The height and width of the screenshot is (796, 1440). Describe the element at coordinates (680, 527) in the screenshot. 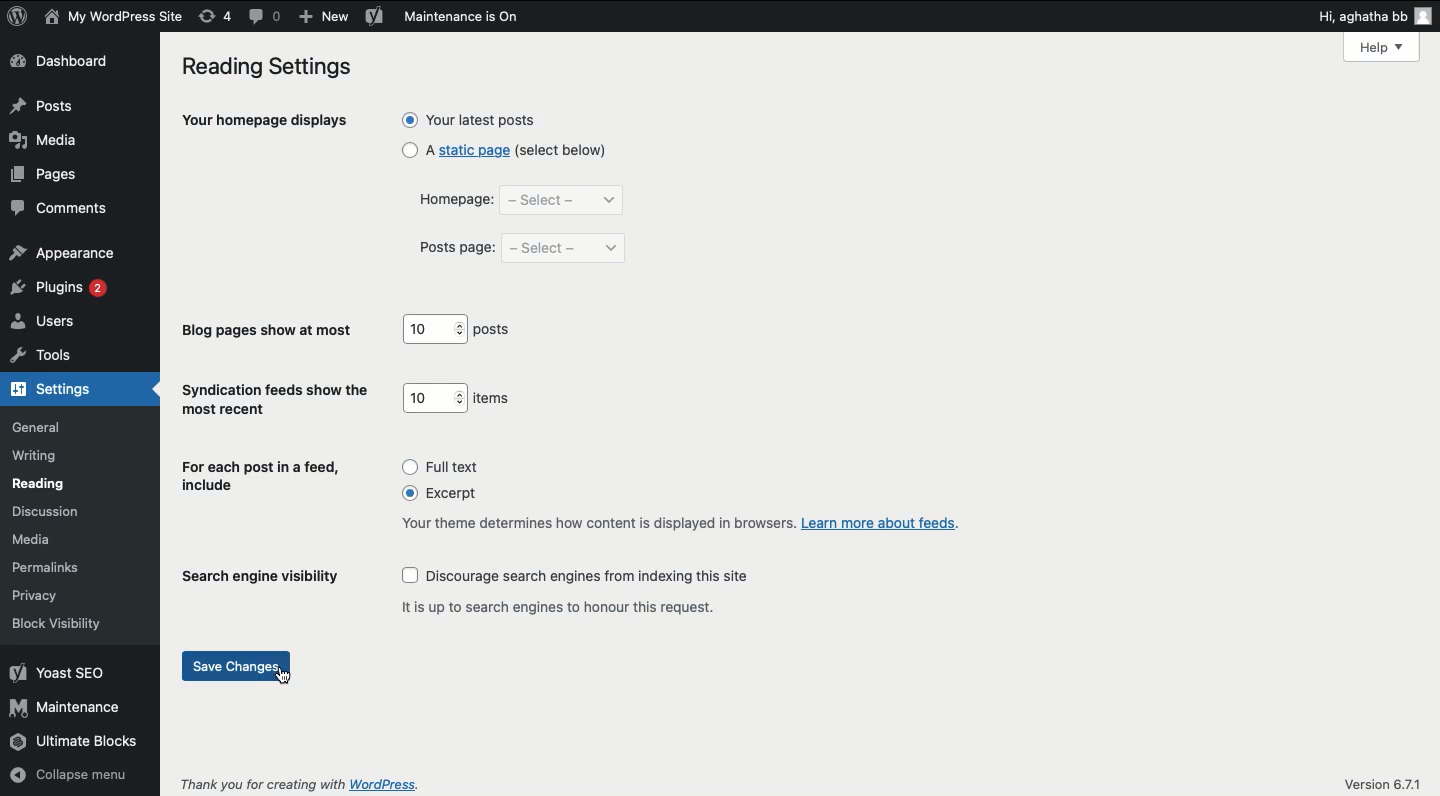

I see `your theme determines how content is displayed in browsers. Learn more about feeds.` at that location.